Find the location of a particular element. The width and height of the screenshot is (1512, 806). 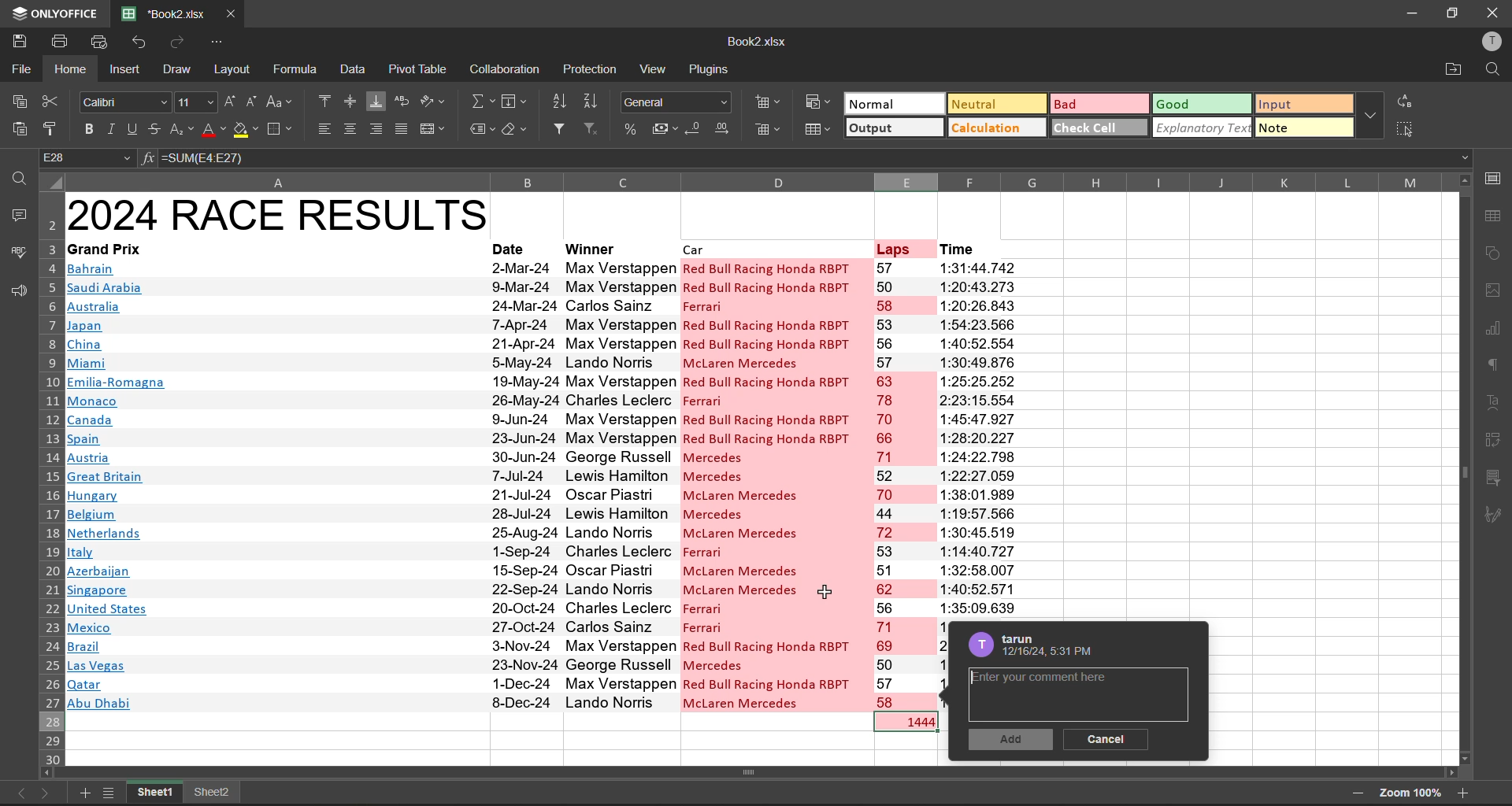

print is located at coordinates (60, 41).